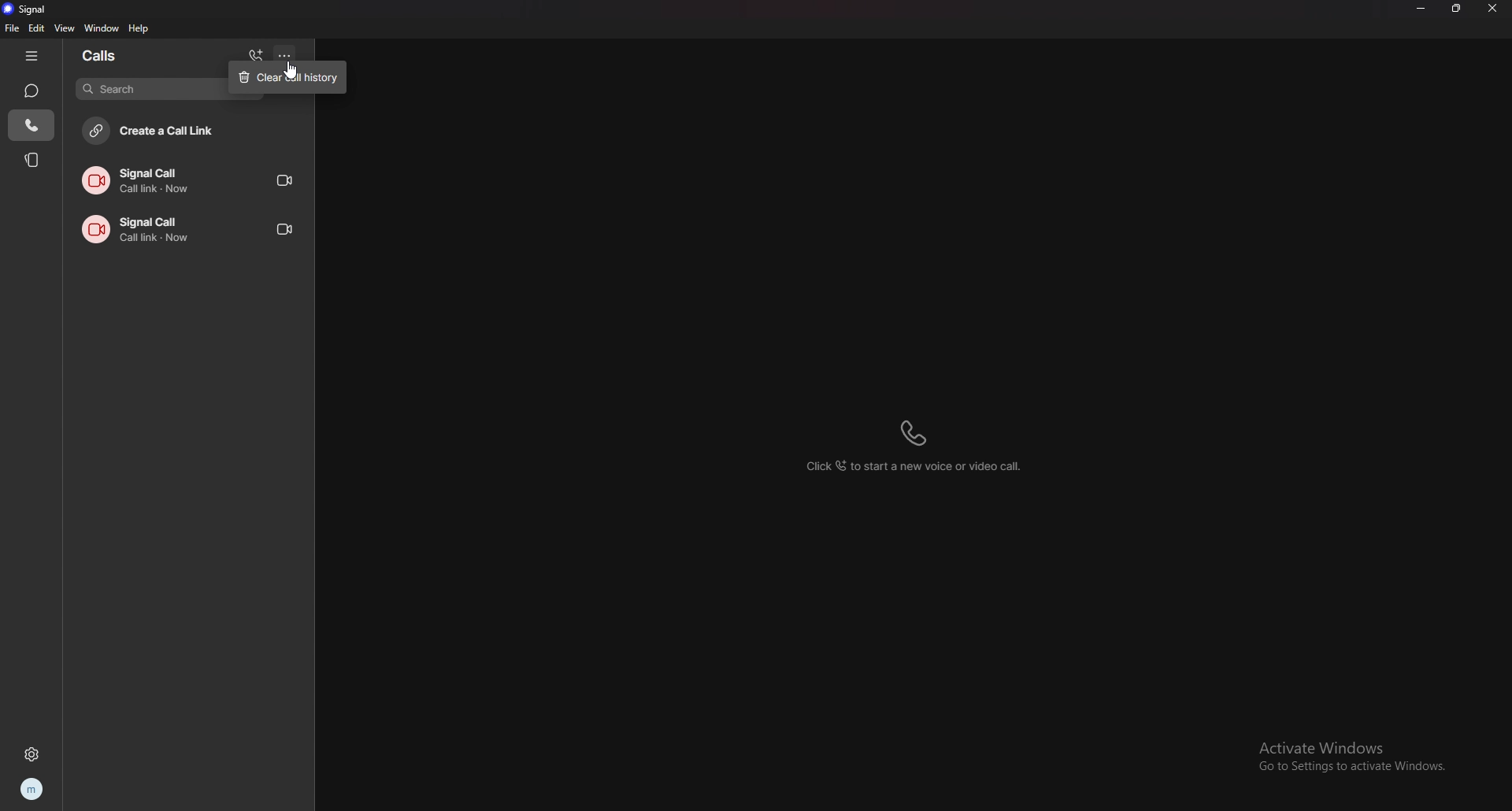 This screenshot has width=1512, height=811. I want to click on clear call history, so click(288, 77).